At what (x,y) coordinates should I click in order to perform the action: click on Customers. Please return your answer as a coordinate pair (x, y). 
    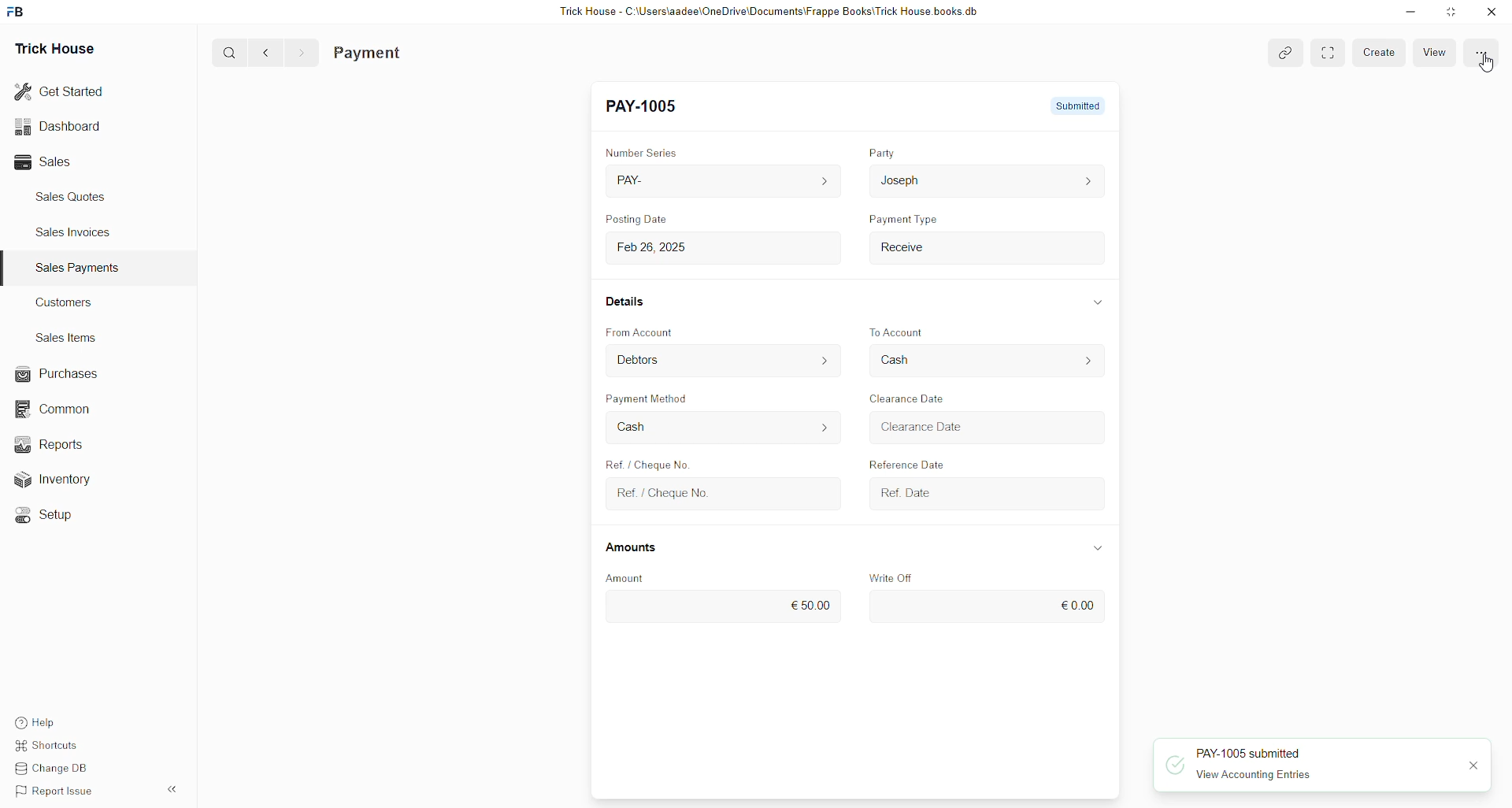
    Looking at the image, I should click on (69, 302).